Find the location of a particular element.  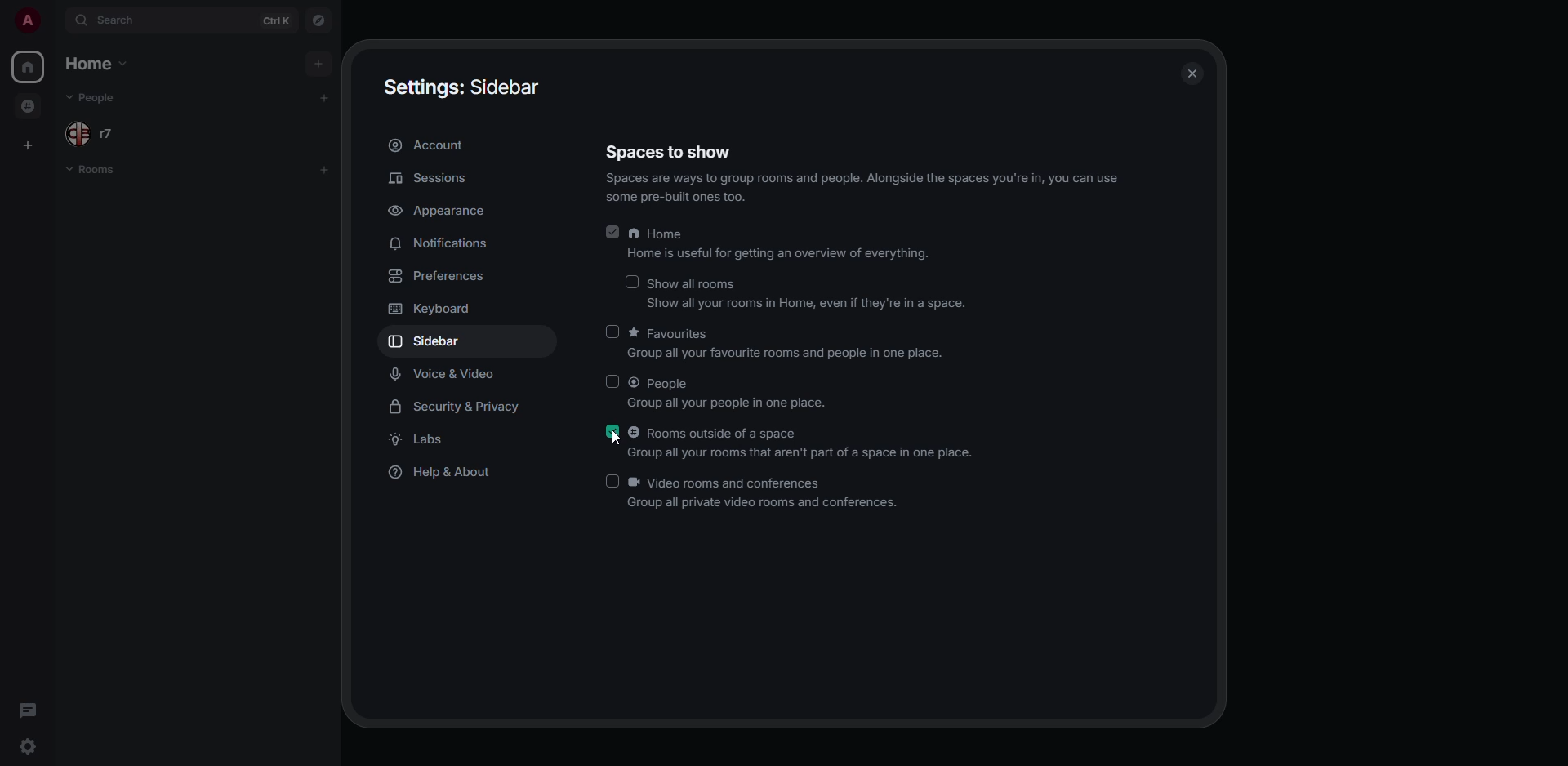

 Rooms outside of a space Group all your rooms that aren't part of a space in one place. is located at coordinates (802, 440).